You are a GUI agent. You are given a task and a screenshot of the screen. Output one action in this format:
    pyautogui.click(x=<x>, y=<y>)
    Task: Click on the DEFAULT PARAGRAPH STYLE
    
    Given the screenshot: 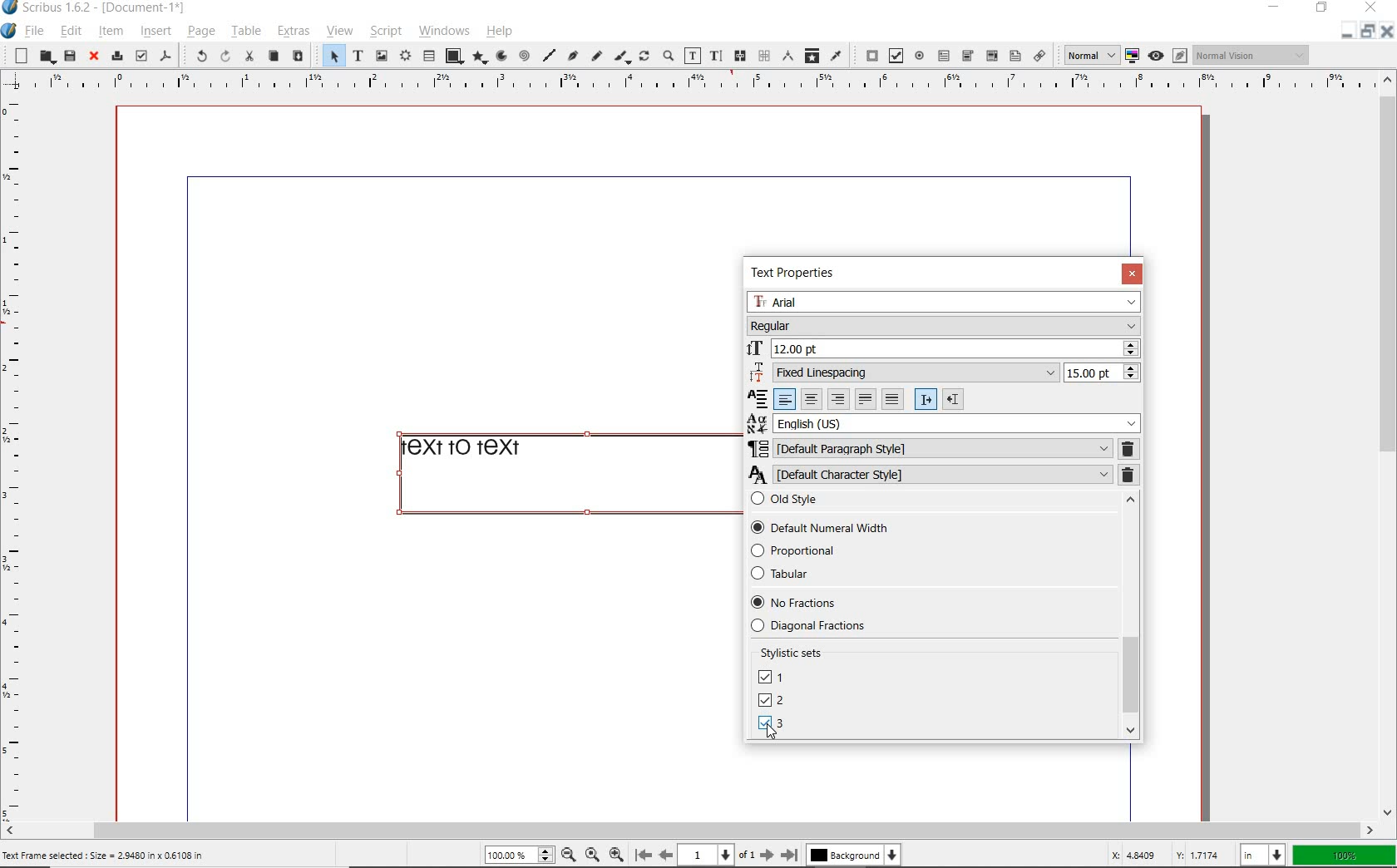 What is the action you would take?
    pyautogui.click(x=927, y=449)
    